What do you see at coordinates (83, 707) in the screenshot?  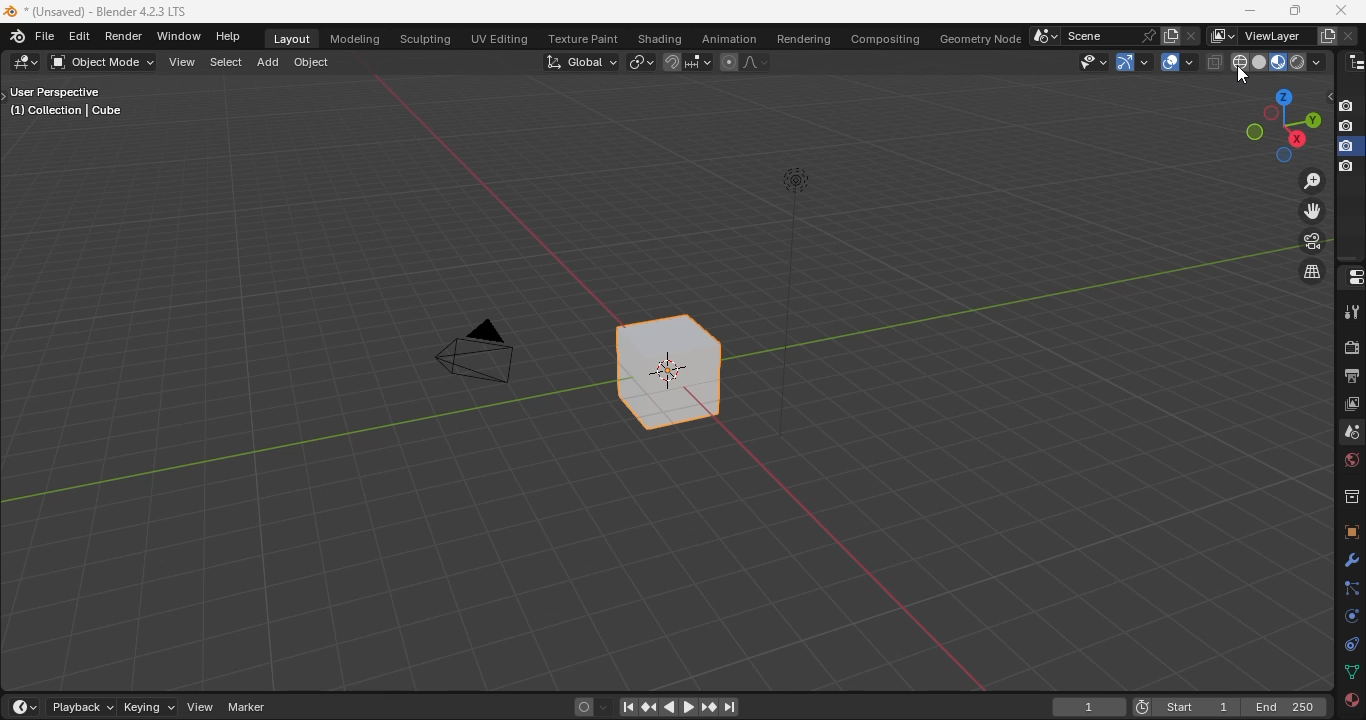 I see `playback` at bounding box center [83, 707].